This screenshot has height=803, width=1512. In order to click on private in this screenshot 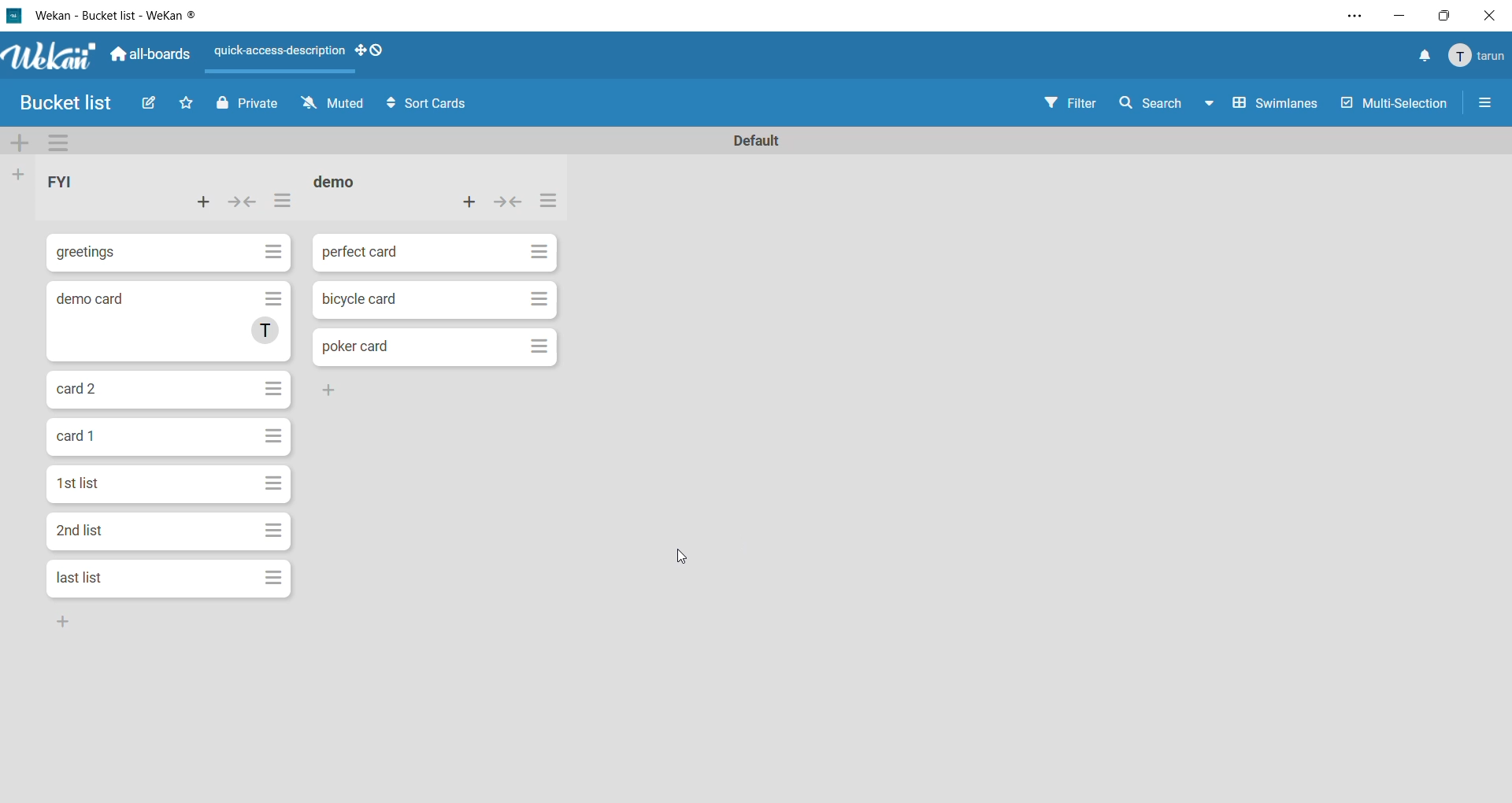, I will do `click(248, 102)`.